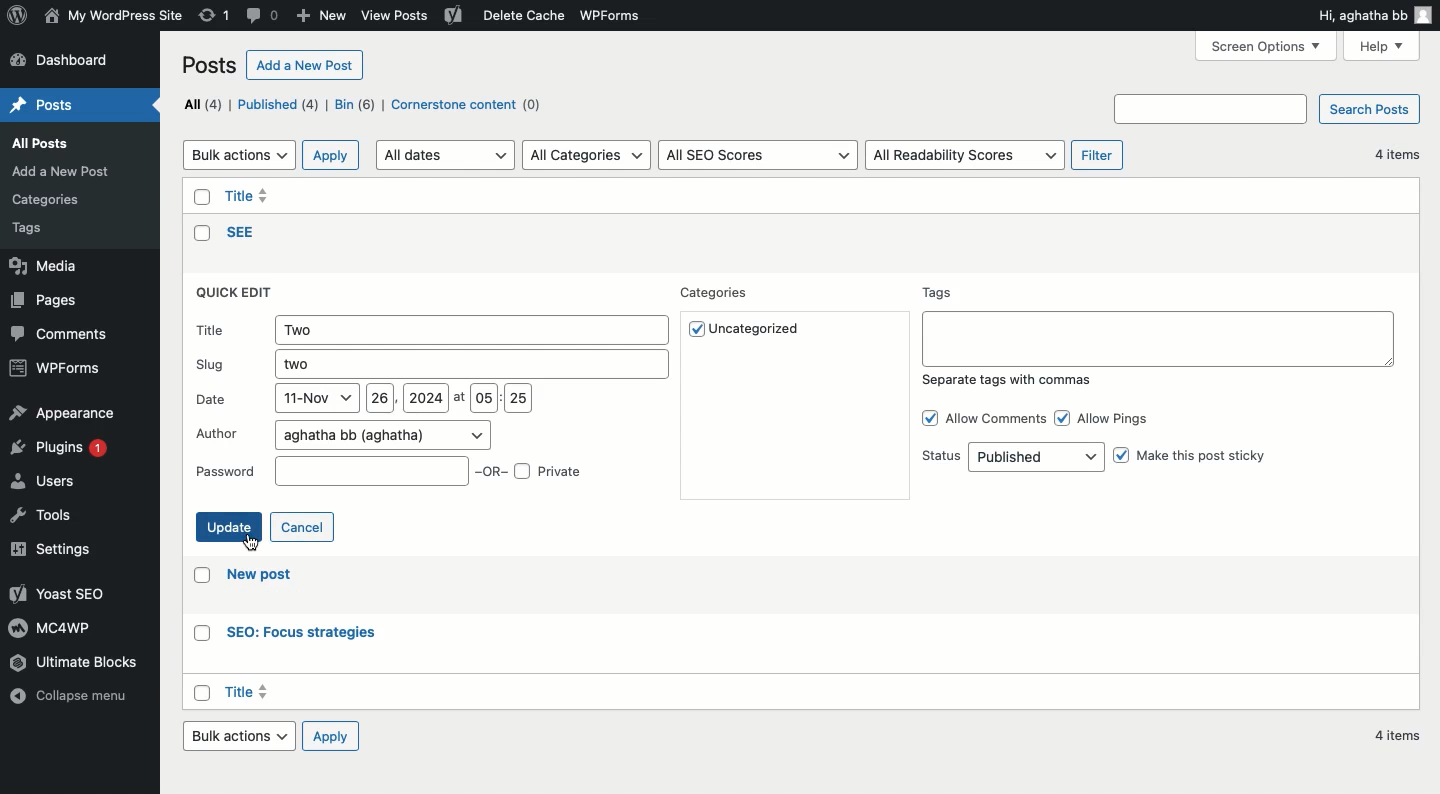 Image resolution: width=1440 pixels, height=794 pixels. I want to click on view posts, so click(398, 17).